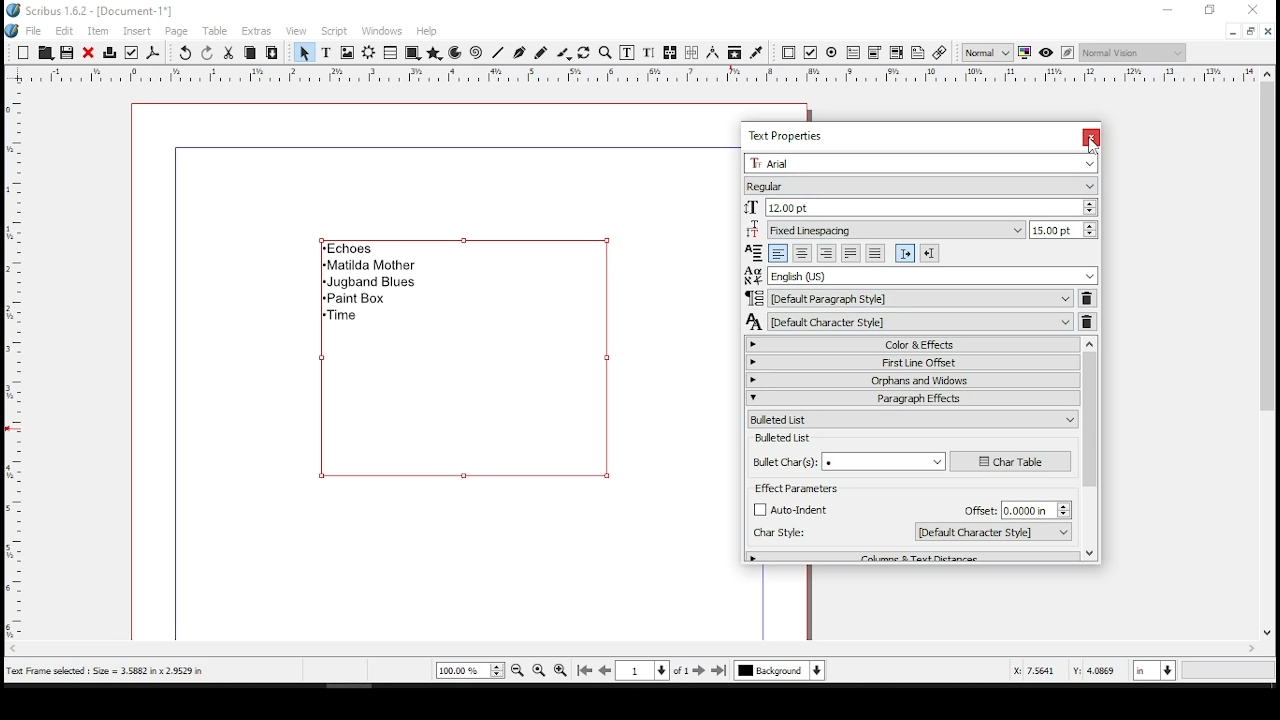  I want to click on paragraph effects, so click(922, 398).